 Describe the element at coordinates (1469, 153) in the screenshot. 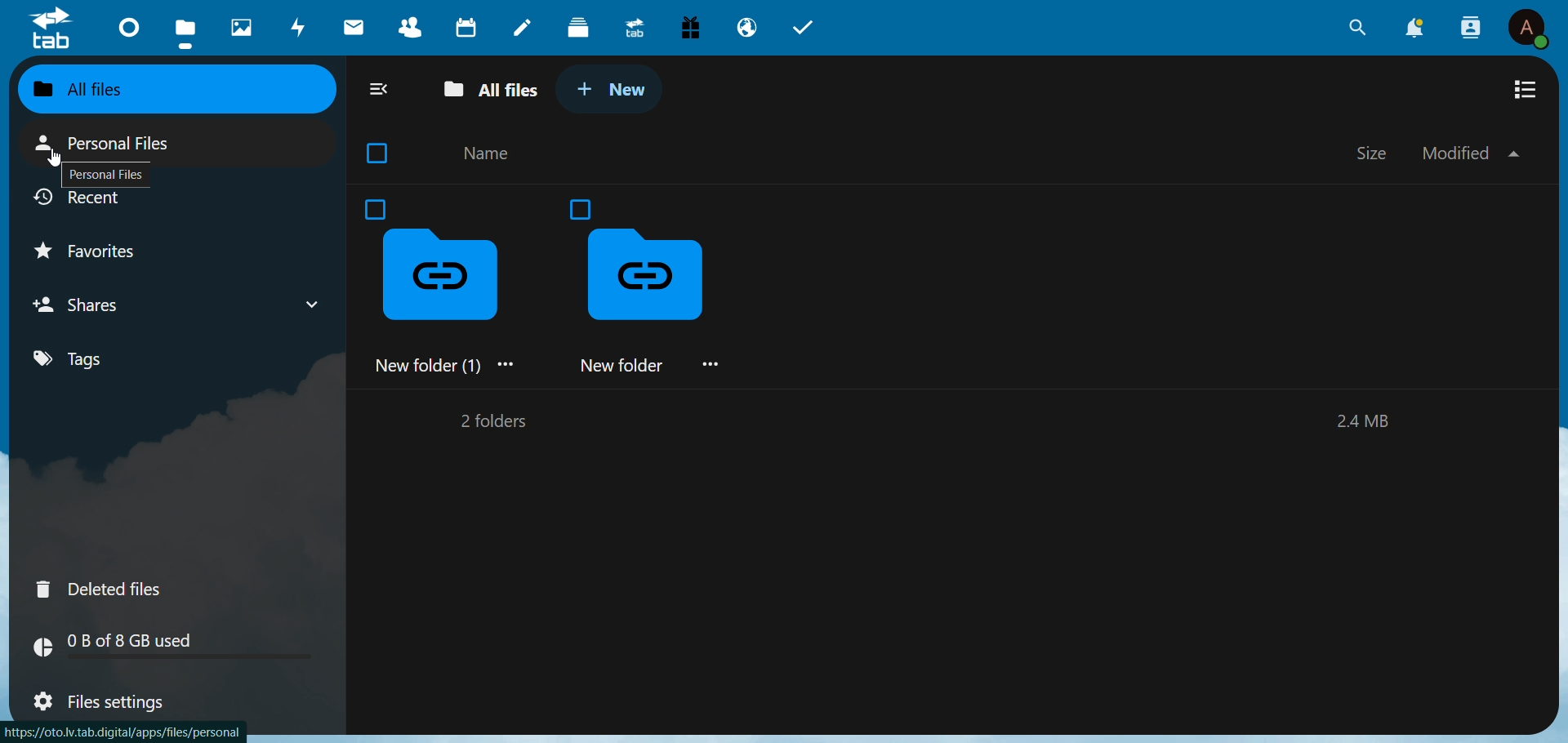

I see `modified` at that location.